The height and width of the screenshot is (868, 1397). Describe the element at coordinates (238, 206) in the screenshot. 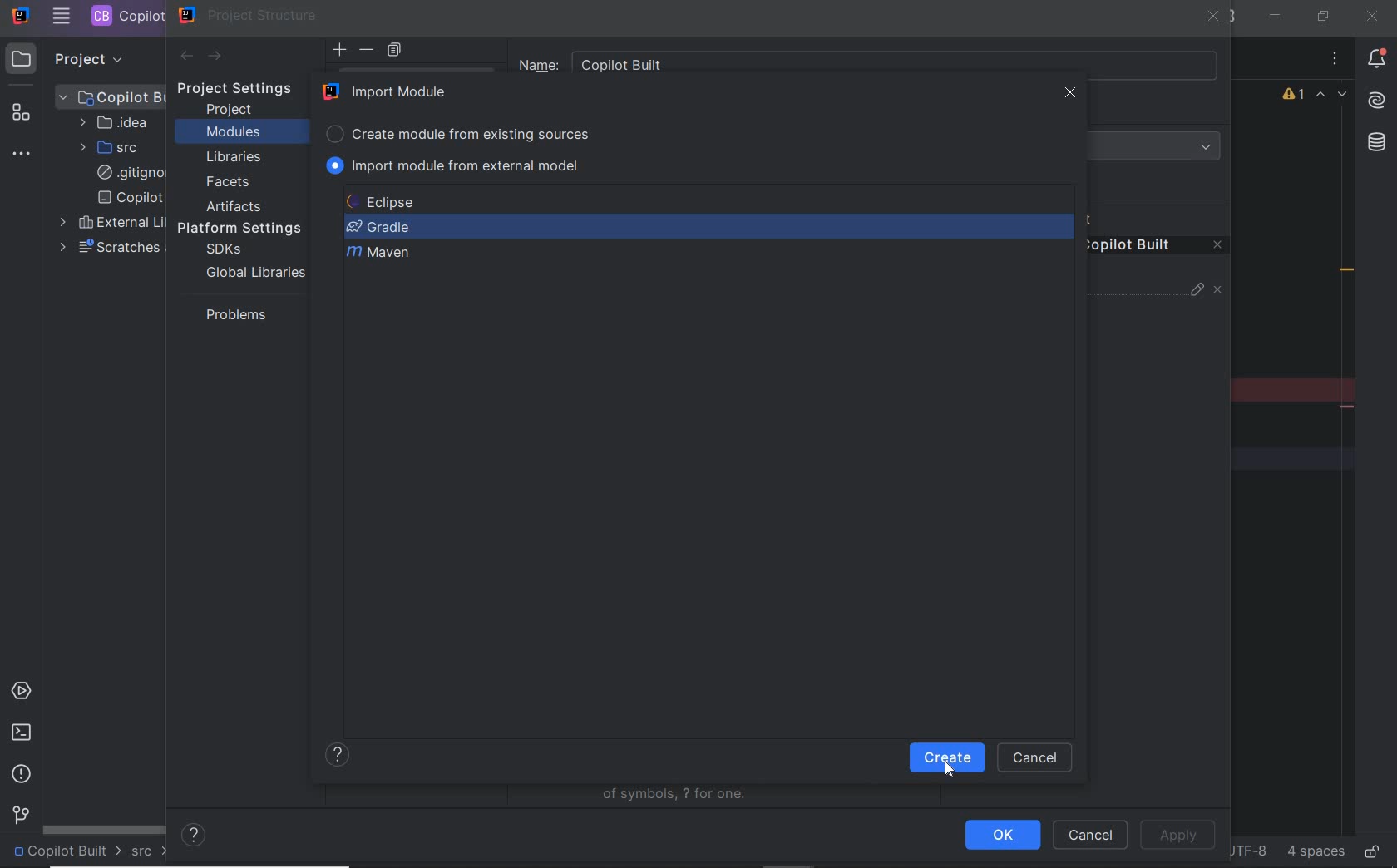

I see `artifacts` at that location.